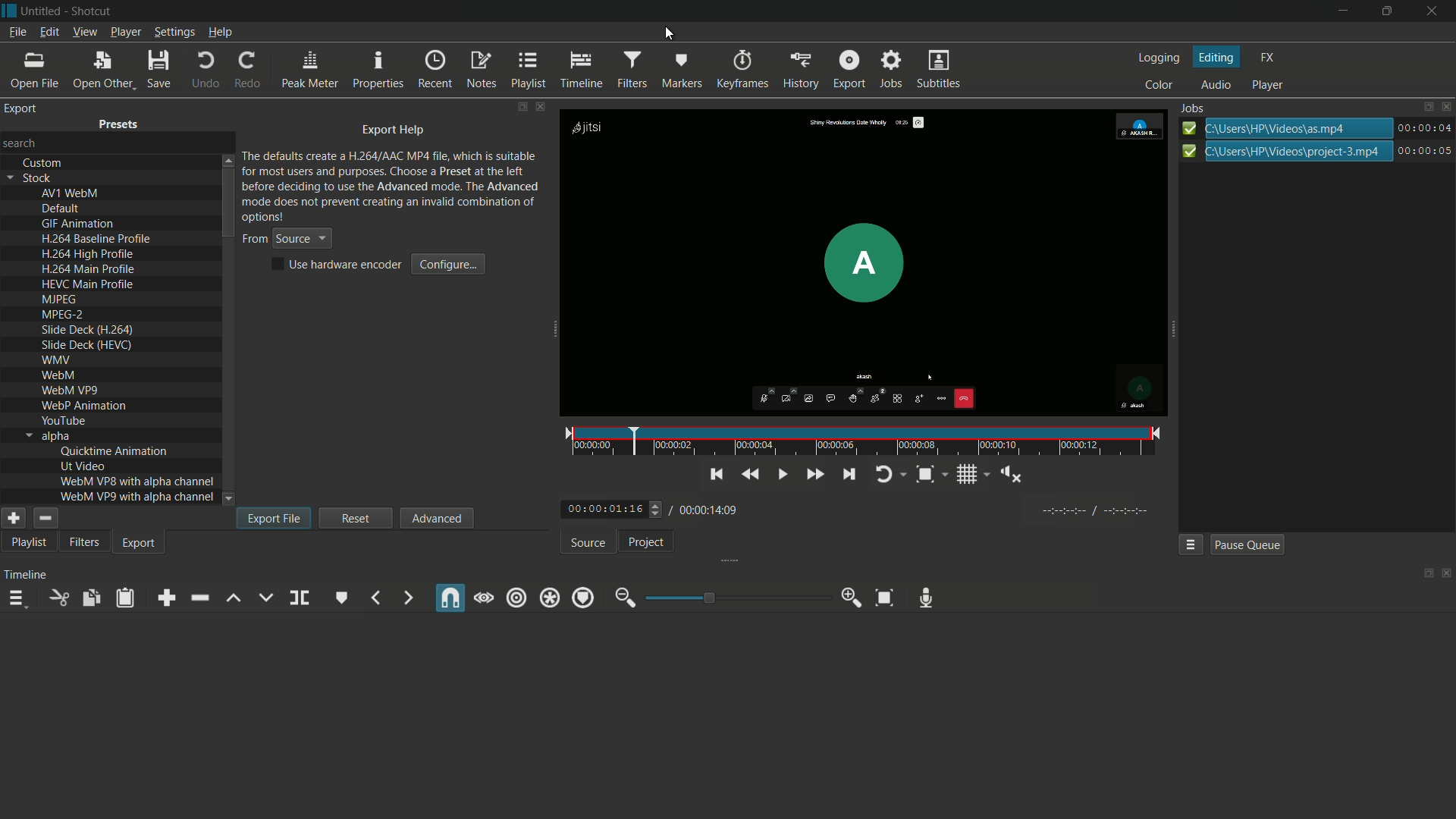 The width and height of the screenshot is (1456, 819). What do you see at coordinates (299, 598) in the screenshot?
I see `split at playhead` at bounding box center [299, 598].